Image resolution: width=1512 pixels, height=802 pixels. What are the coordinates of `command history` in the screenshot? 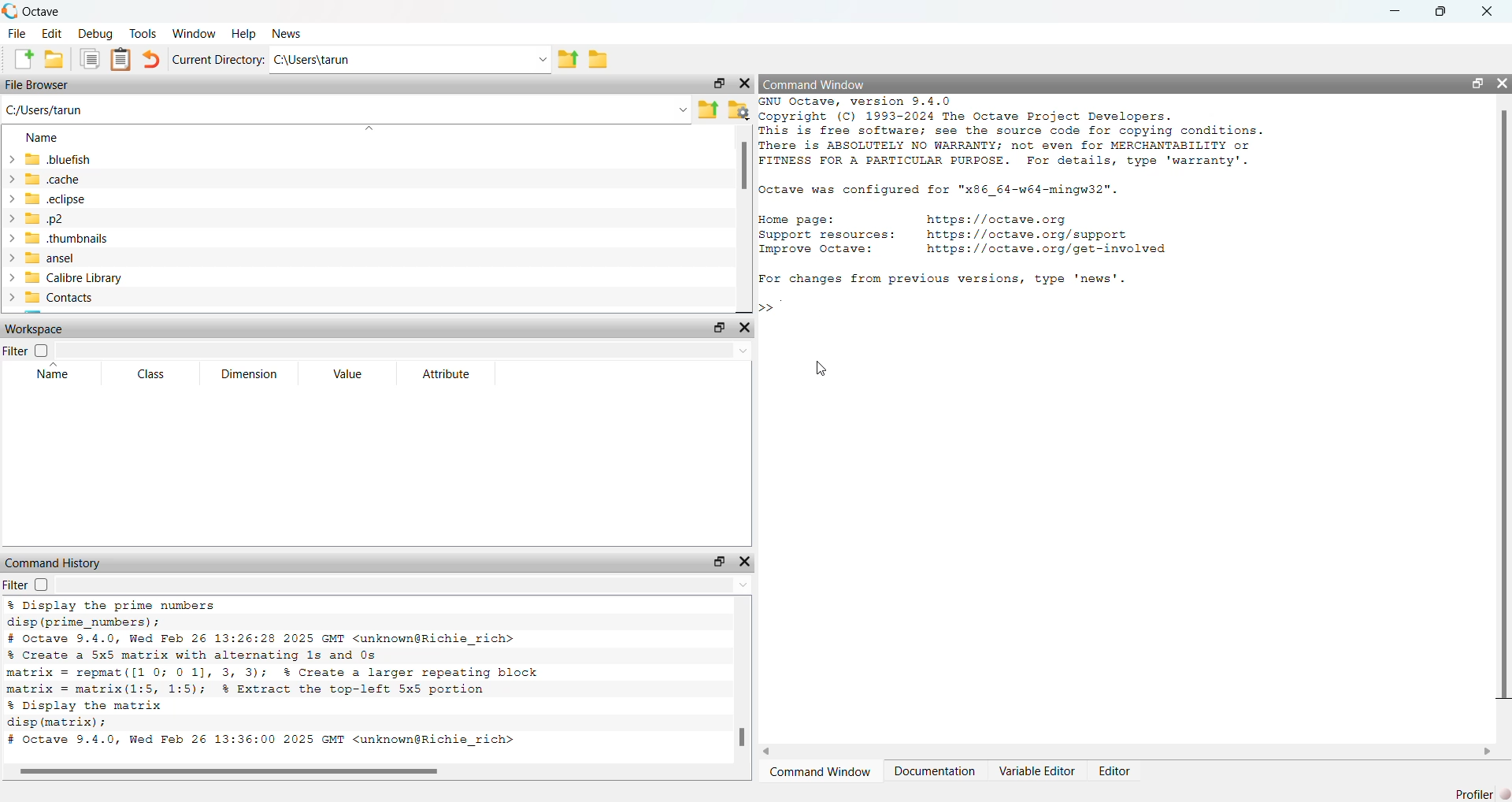 It's located at (54, 563).